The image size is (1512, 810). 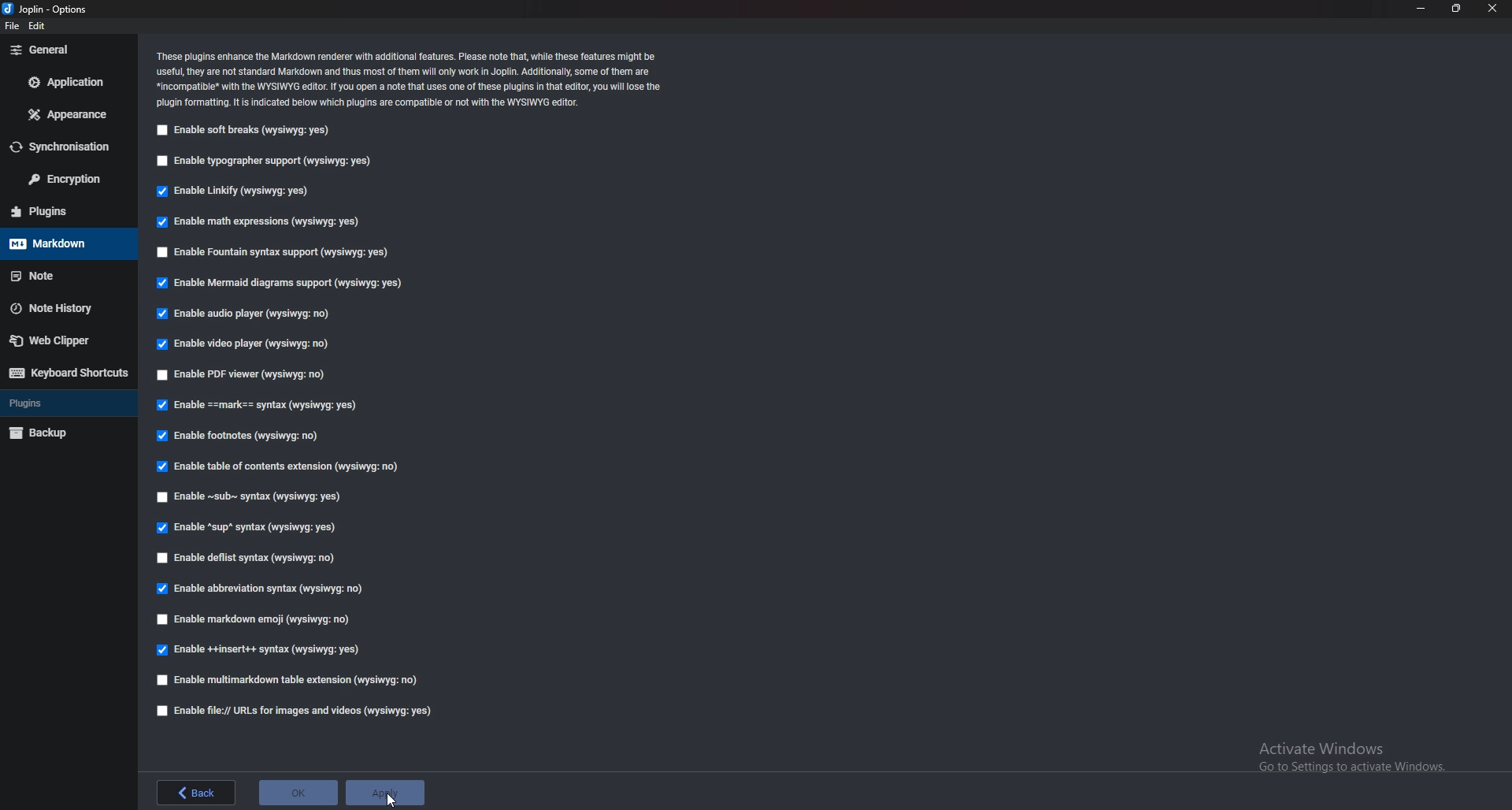 What do you see at coordinates (261, 619) in the screenshot?
I see `enable markdown emoji` at bounding box center [261, 619].